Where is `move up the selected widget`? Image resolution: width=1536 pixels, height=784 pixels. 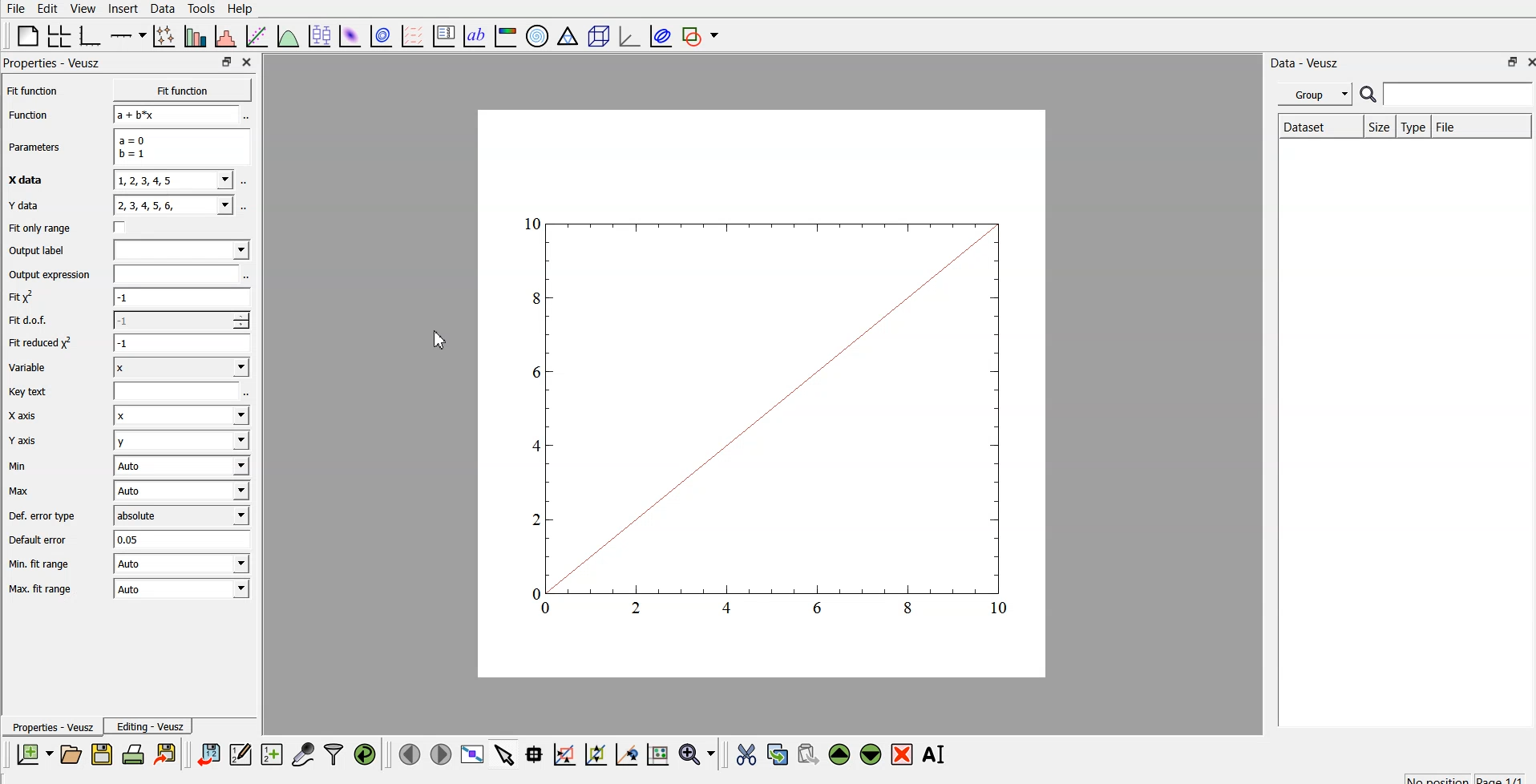 move up the selected widget is located at coordinates (839, 754).